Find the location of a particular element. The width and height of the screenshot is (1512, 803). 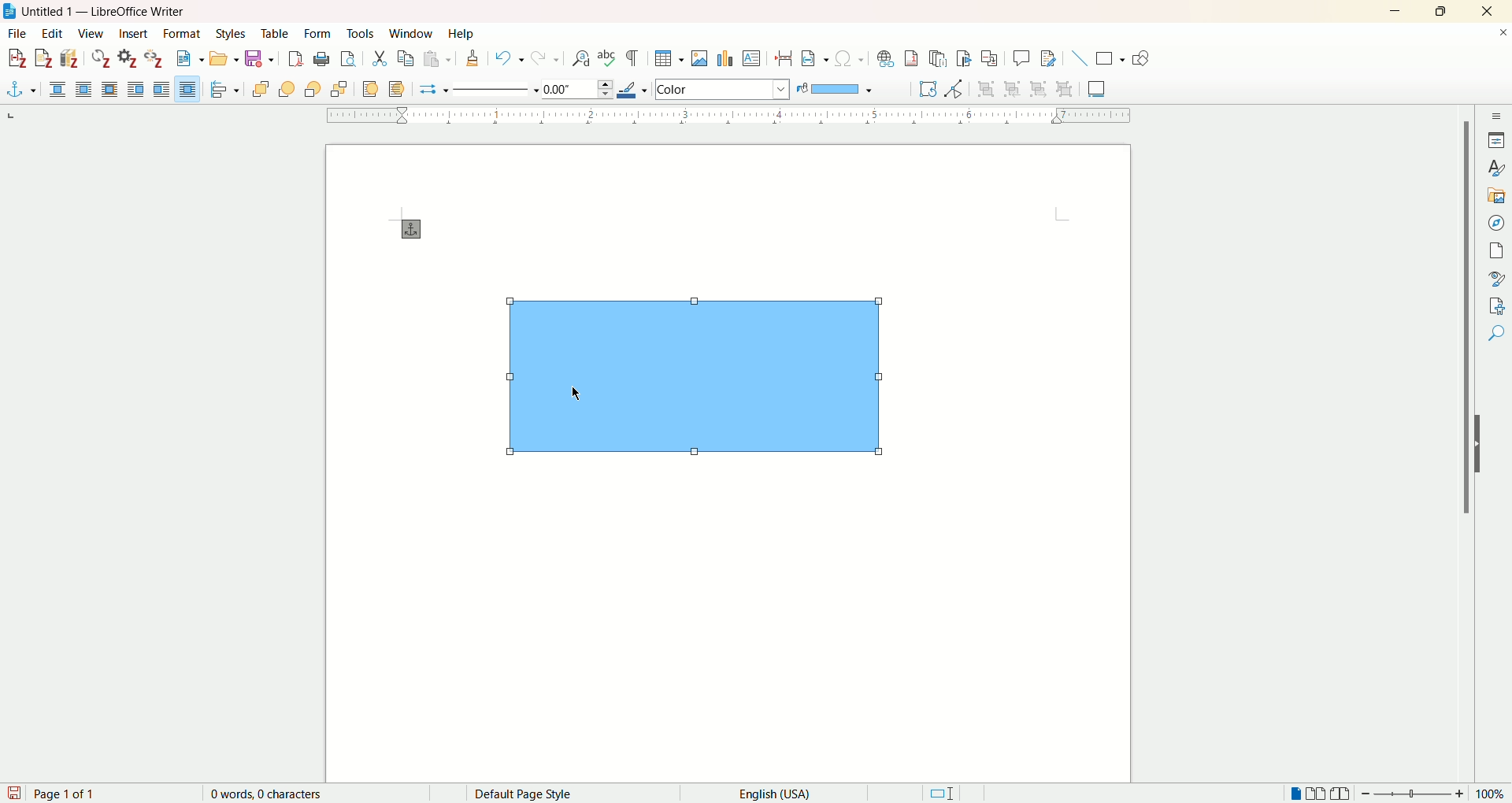

book view is located at coordinates (1342, 793).